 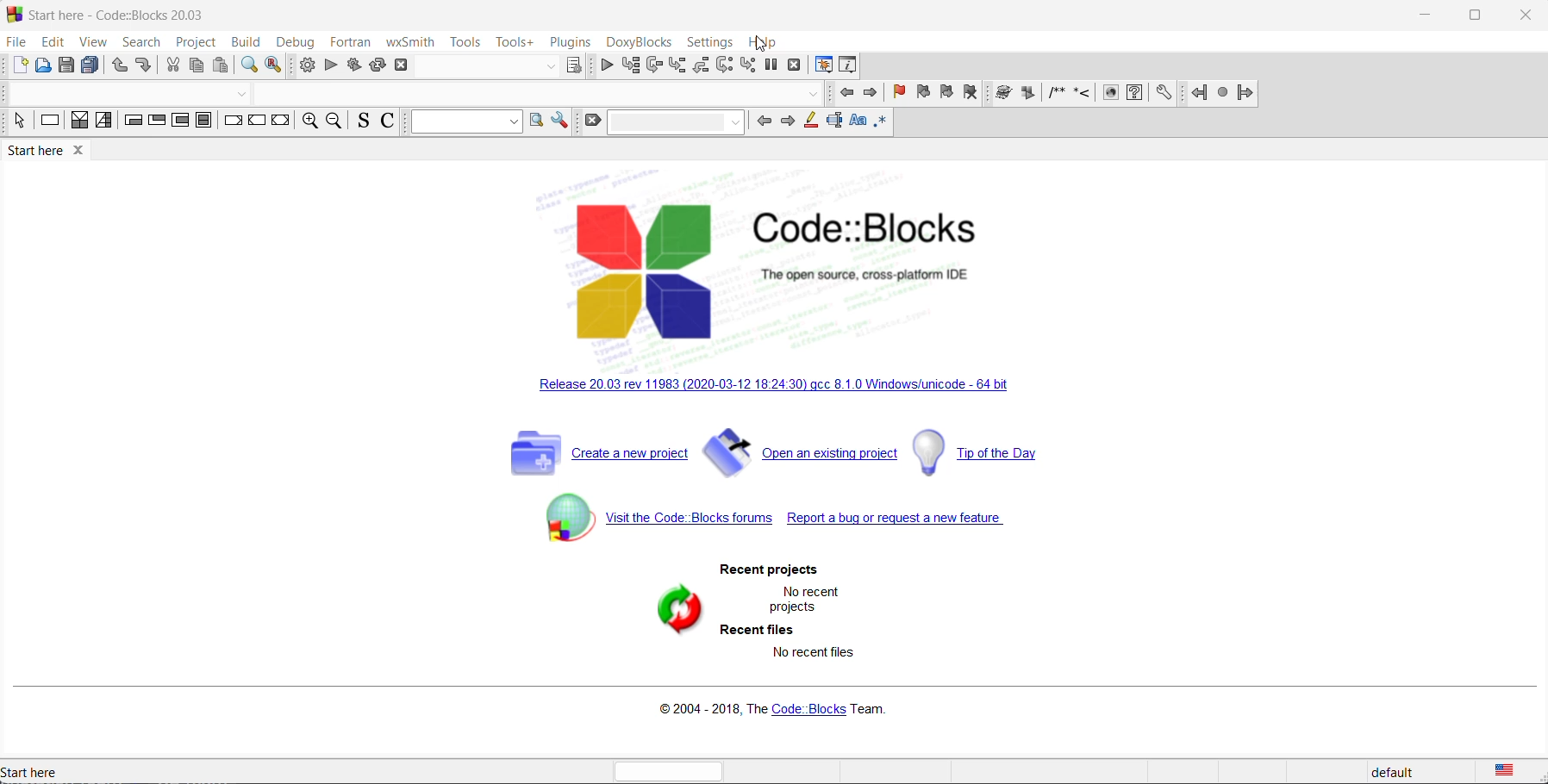 I want to click on remove bookmark, so click(x=970, y=94).